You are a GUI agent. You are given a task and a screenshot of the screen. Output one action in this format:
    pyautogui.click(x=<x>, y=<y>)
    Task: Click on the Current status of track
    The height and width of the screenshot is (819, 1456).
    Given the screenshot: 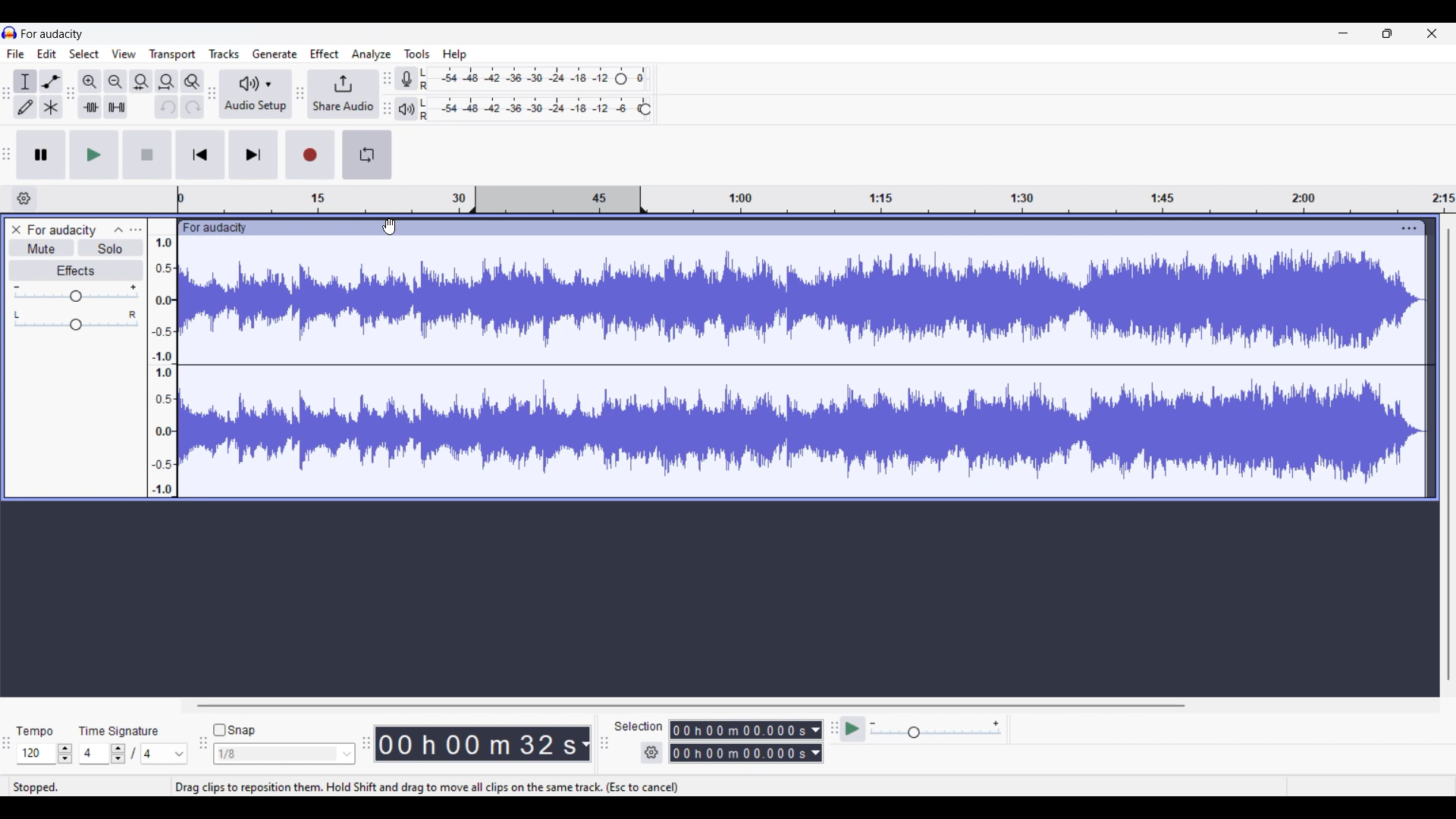 What is the action you would take?
    pyautogui.click(x=36, y=786)
    